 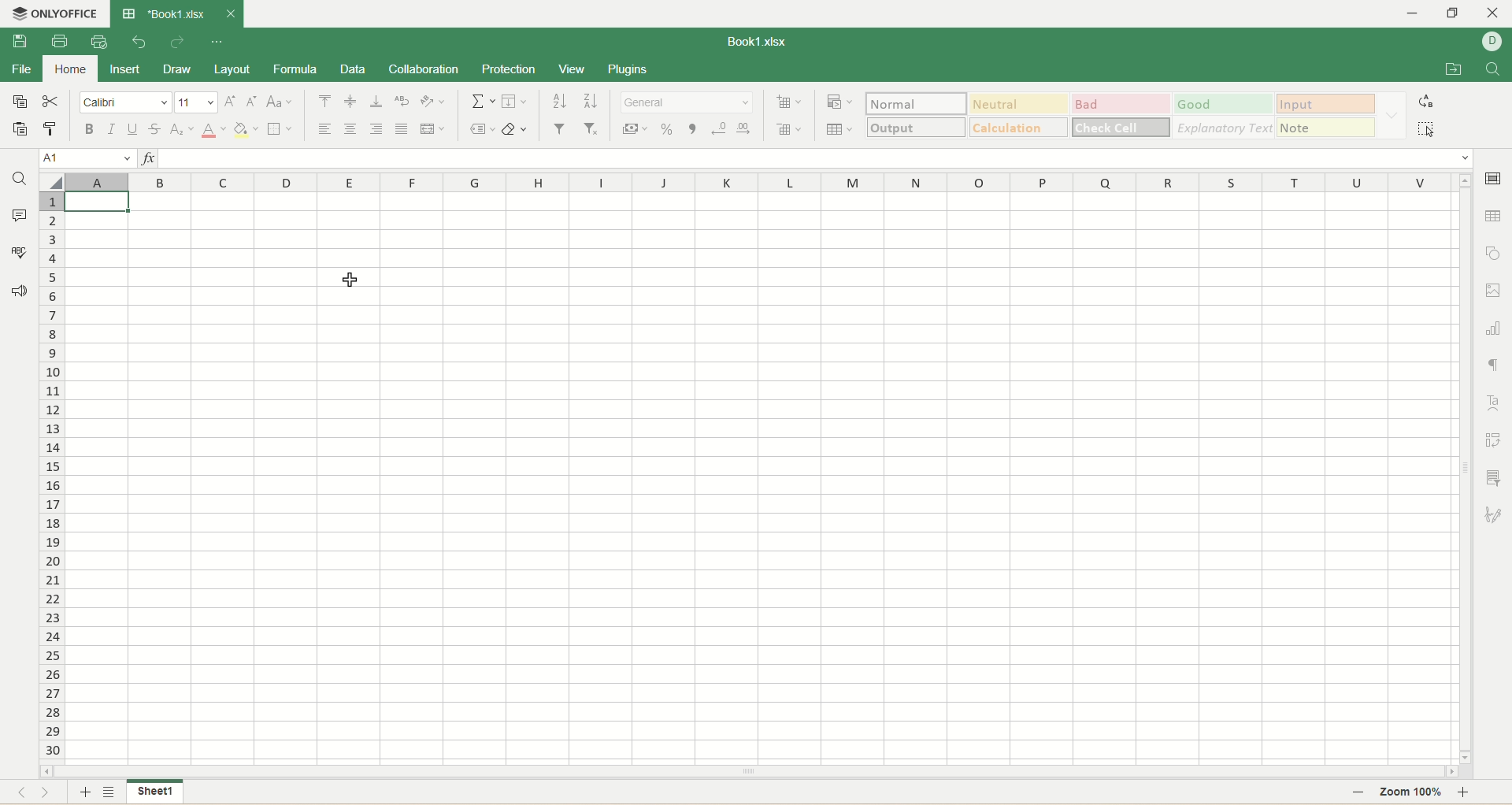 What do you see at coordinates (86, 157) in the screenshot?
I see `A1` at bounding box center [86, 157].